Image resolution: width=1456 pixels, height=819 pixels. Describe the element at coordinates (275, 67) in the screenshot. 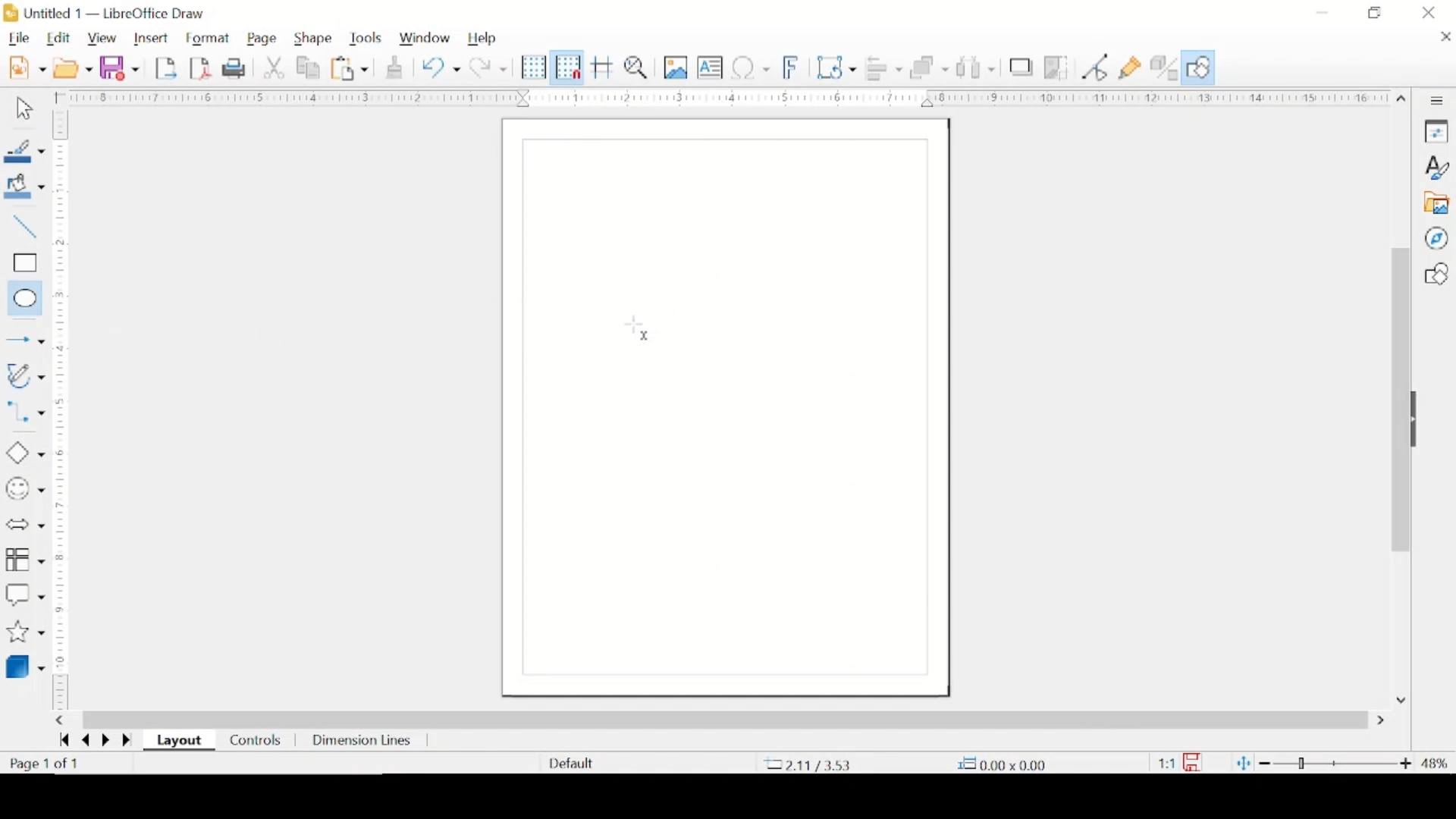

I see `cut` at that location.